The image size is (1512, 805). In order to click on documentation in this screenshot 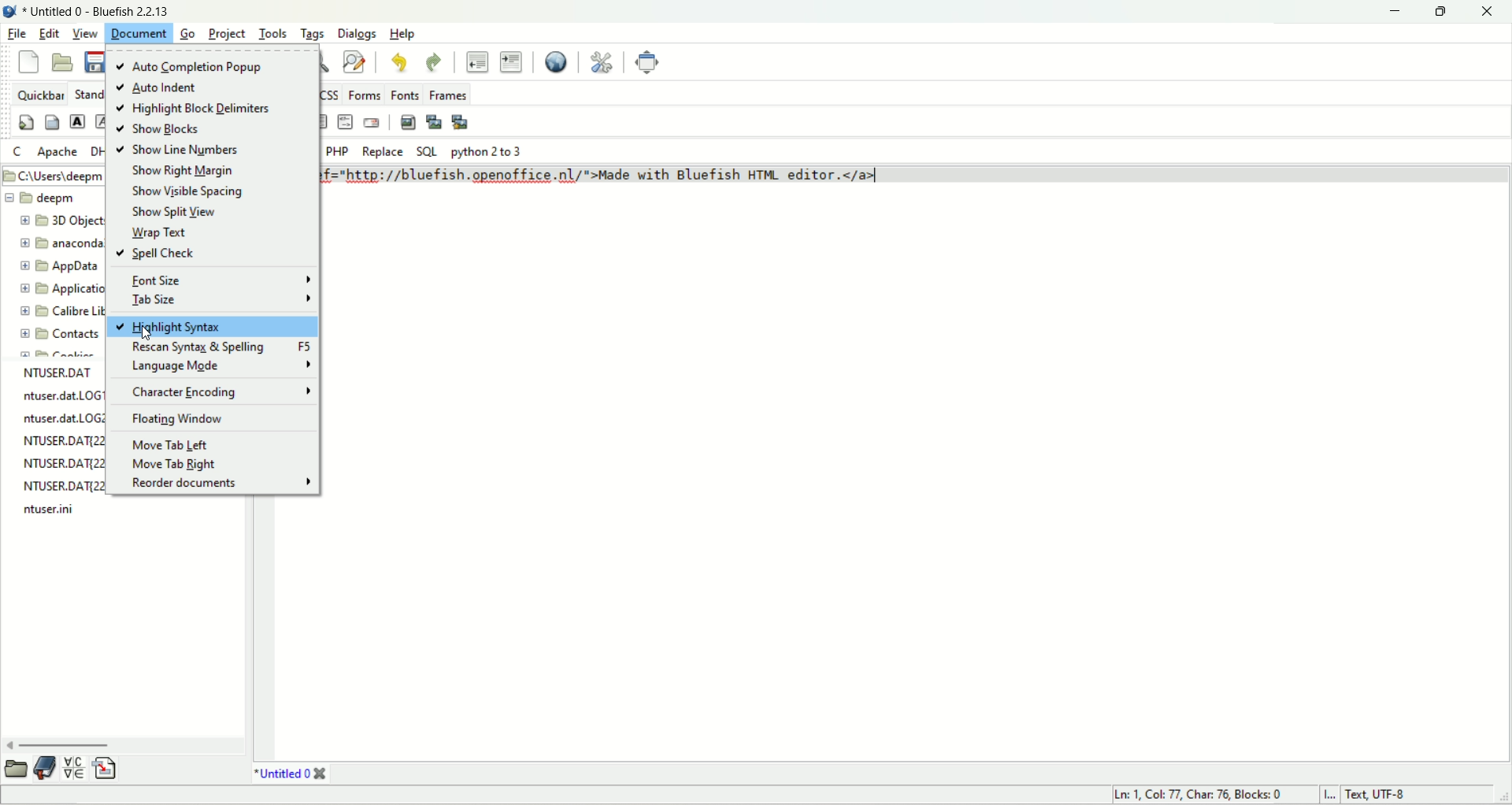, I will do `click(46, 770)`.